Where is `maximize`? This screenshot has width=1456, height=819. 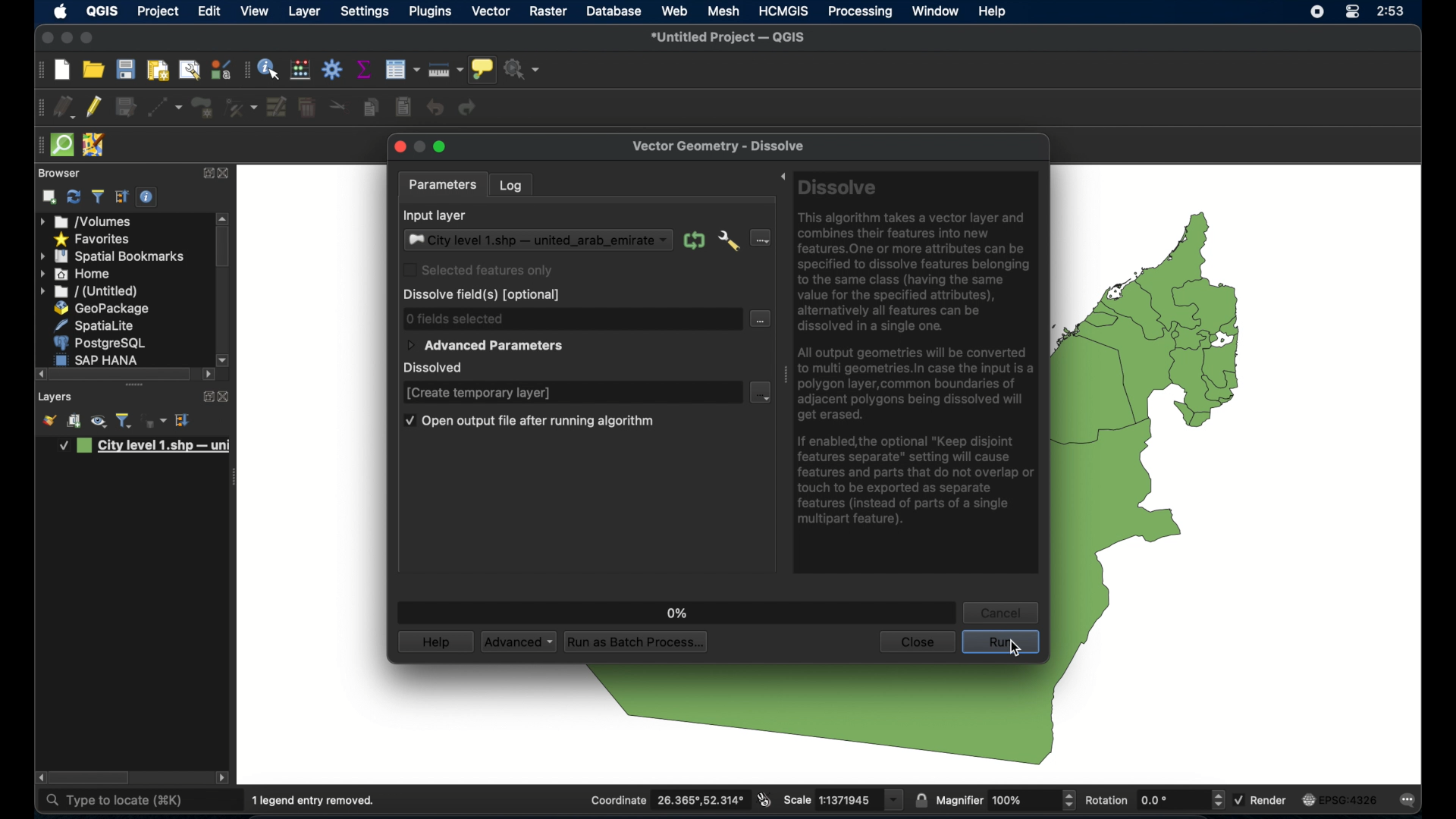
maximize is located at coordinates (45, 39).